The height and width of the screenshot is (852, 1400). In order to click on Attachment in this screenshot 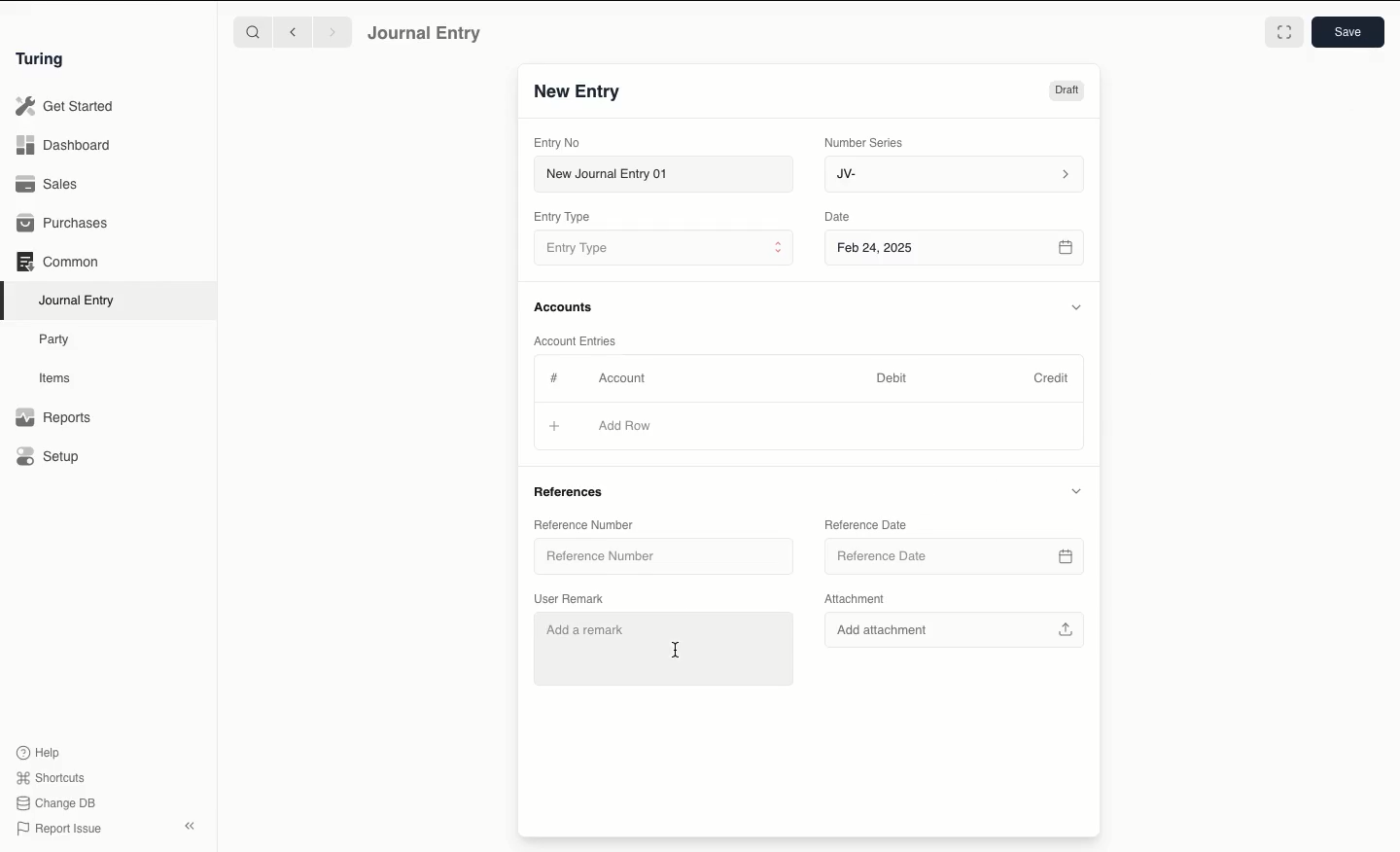, I will do `click(857, 598)`.